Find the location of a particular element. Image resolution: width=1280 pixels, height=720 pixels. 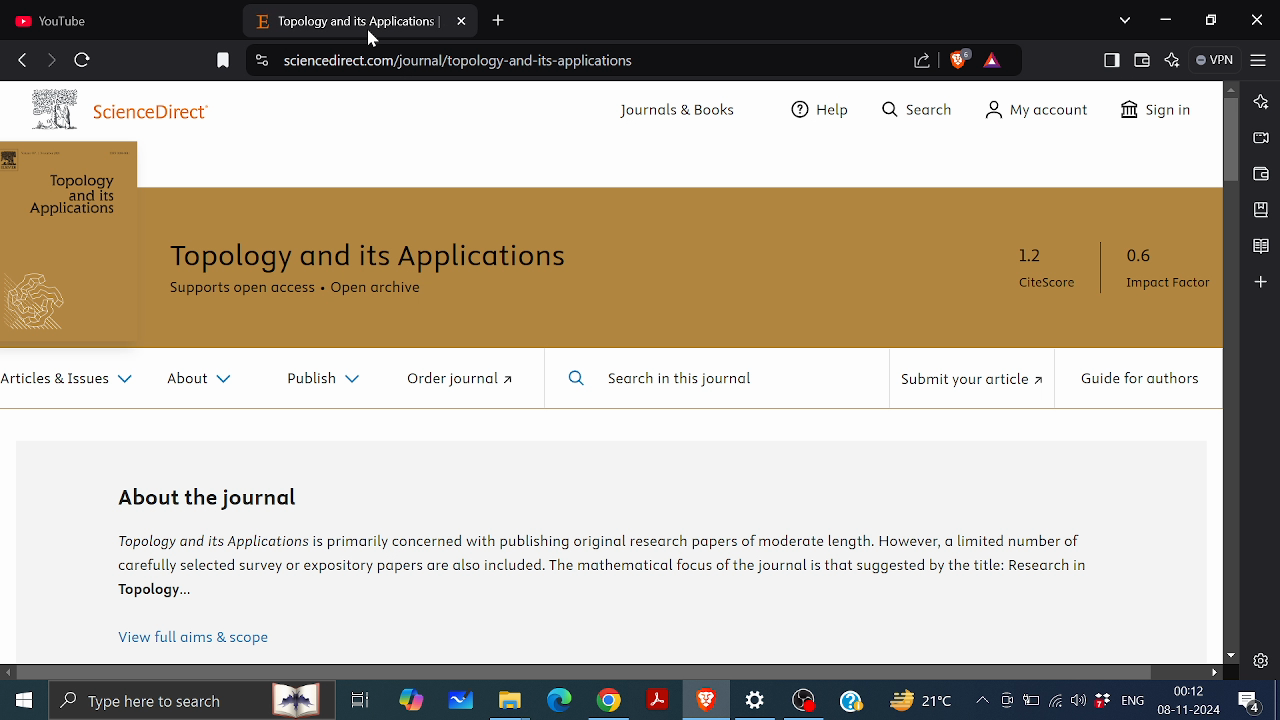

Internet access is located at coordinates (1054, 700).